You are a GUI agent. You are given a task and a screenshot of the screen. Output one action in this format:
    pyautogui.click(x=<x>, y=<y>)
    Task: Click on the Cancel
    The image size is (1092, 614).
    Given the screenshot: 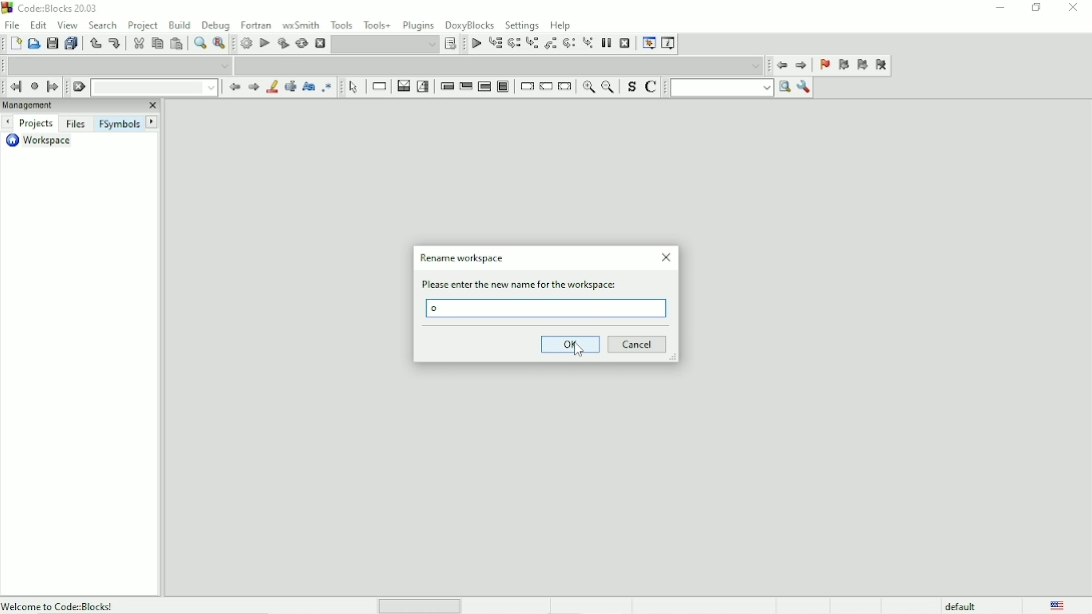 What is the action you would take?
    pyautogui.click(x=639, y=344)
    